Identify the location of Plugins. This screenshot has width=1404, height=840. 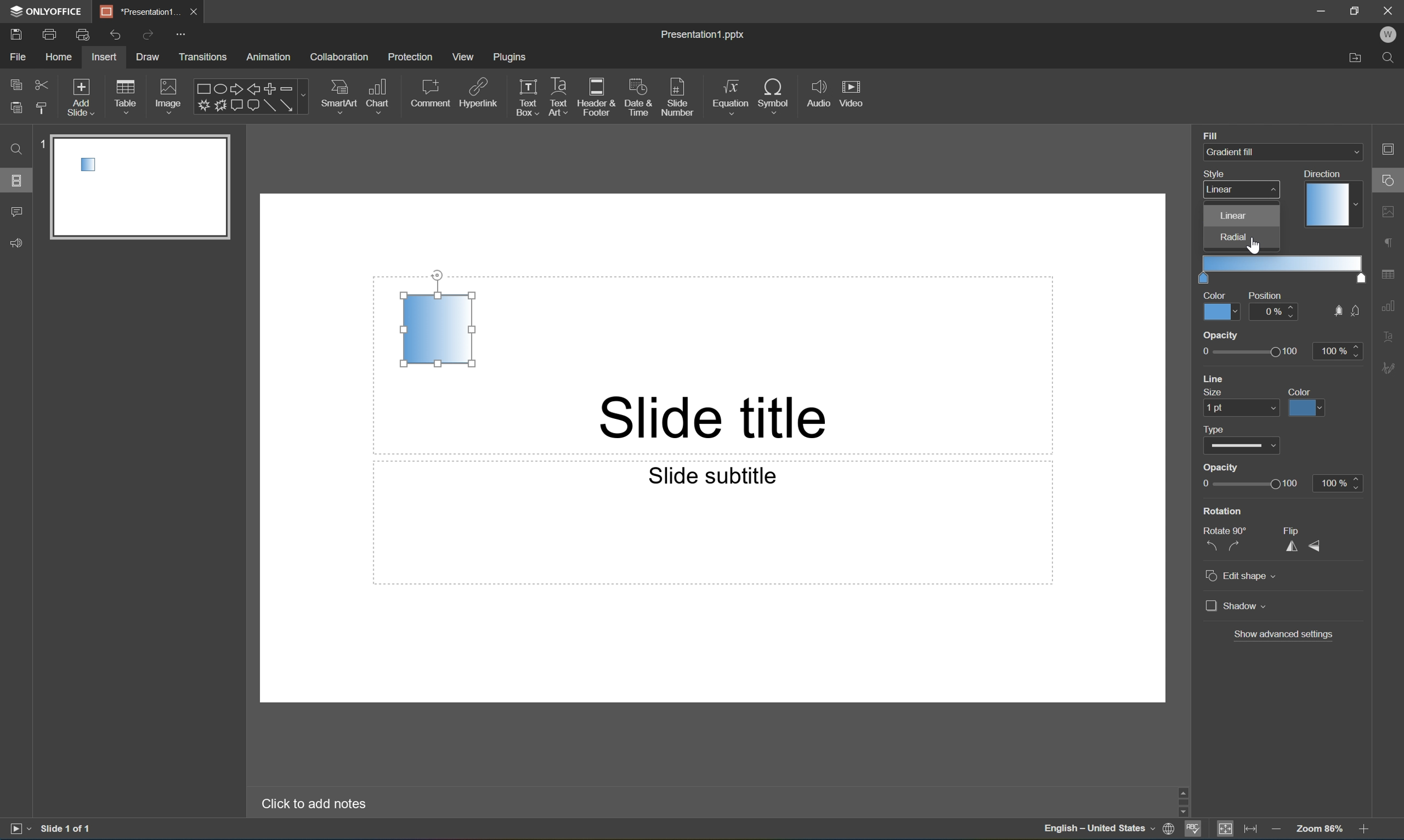
(510, 57).